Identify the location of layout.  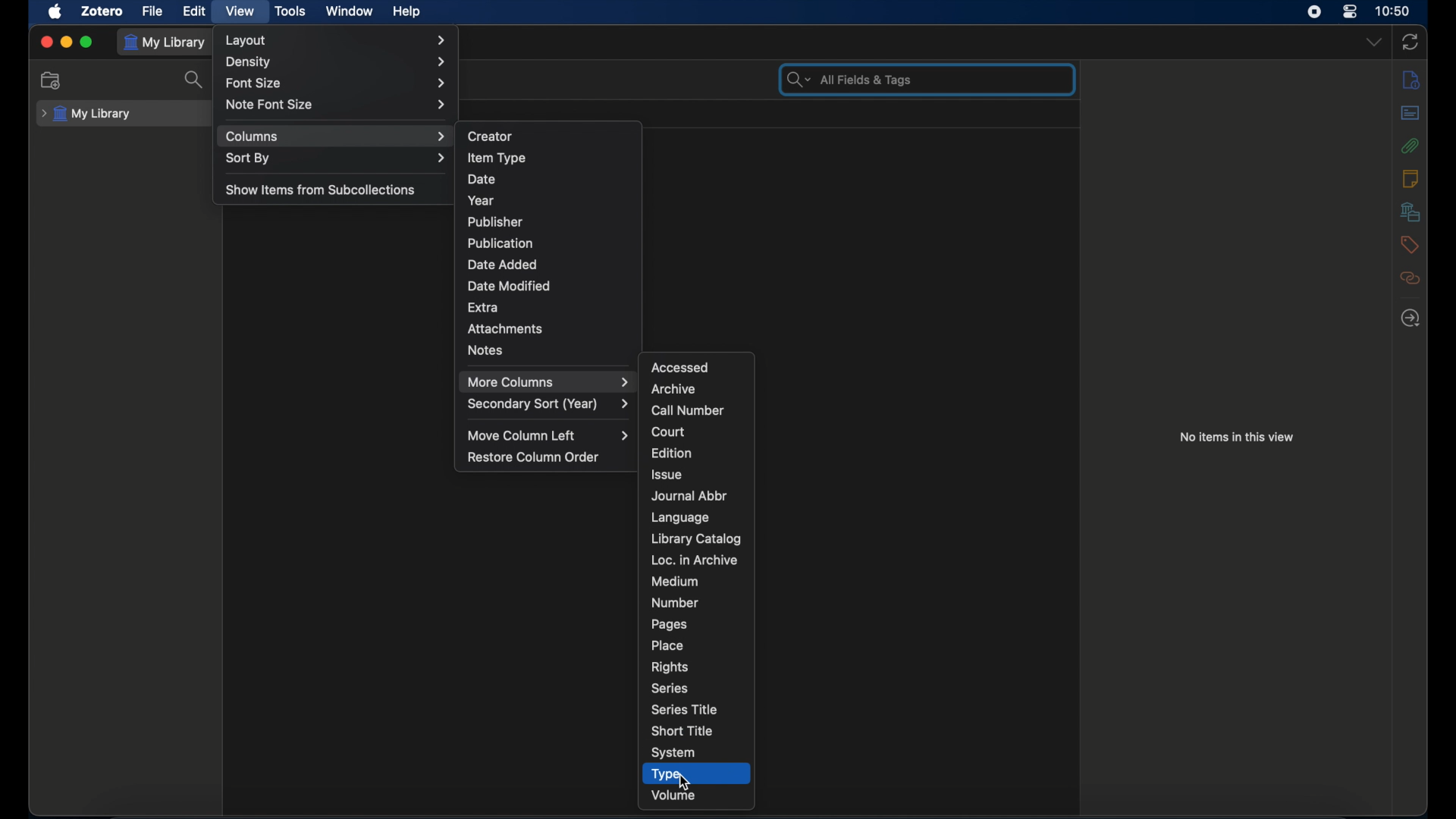
(336, 40).